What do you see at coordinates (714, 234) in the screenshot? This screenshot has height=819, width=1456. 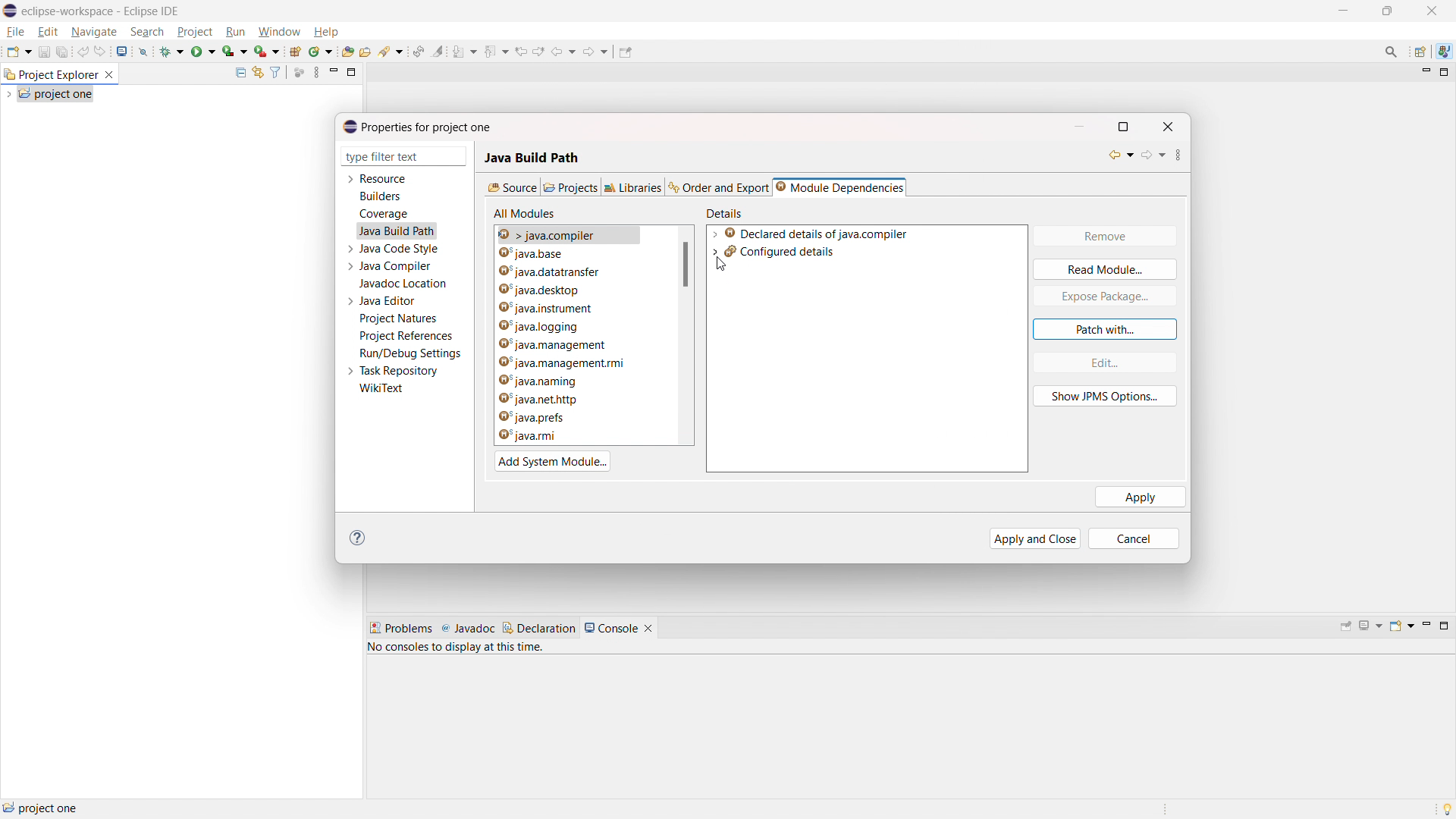 I see `expand` at bounding box center [714, 234].